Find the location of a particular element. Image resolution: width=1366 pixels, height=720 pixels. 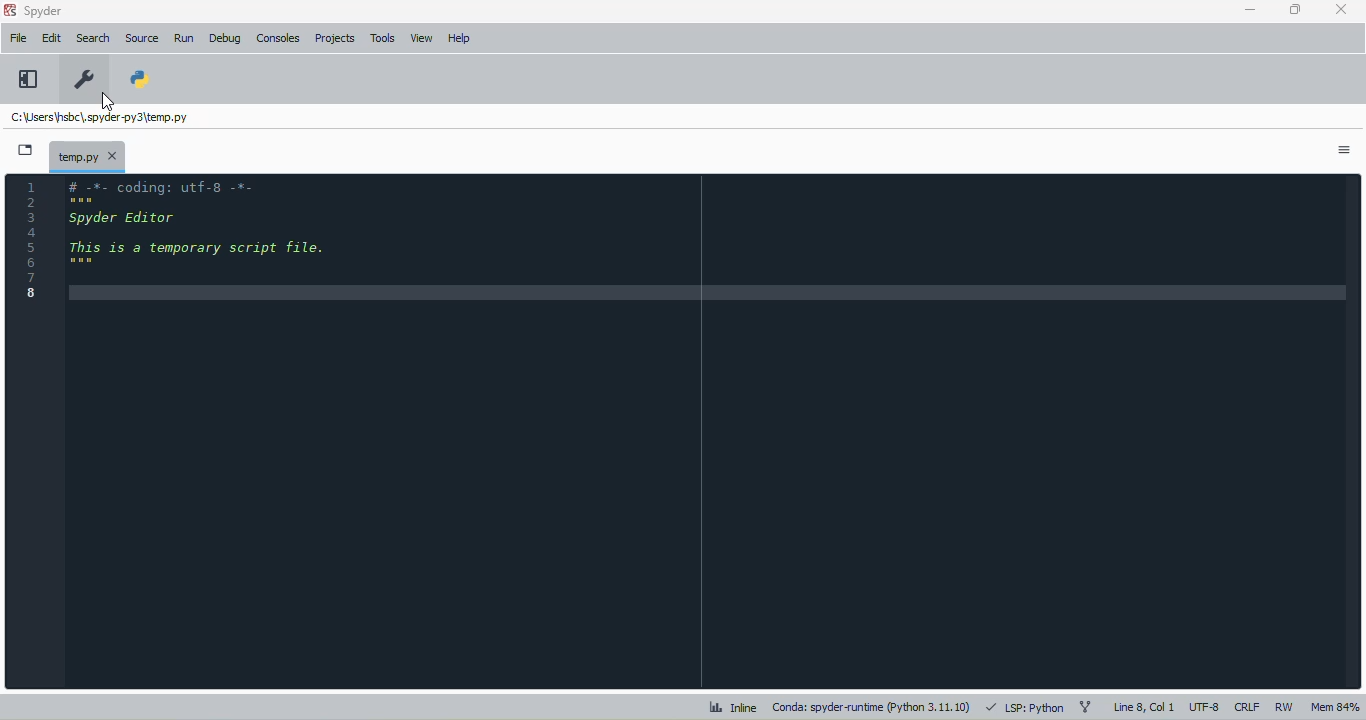

git branch is located at coordinates (1085, 707).